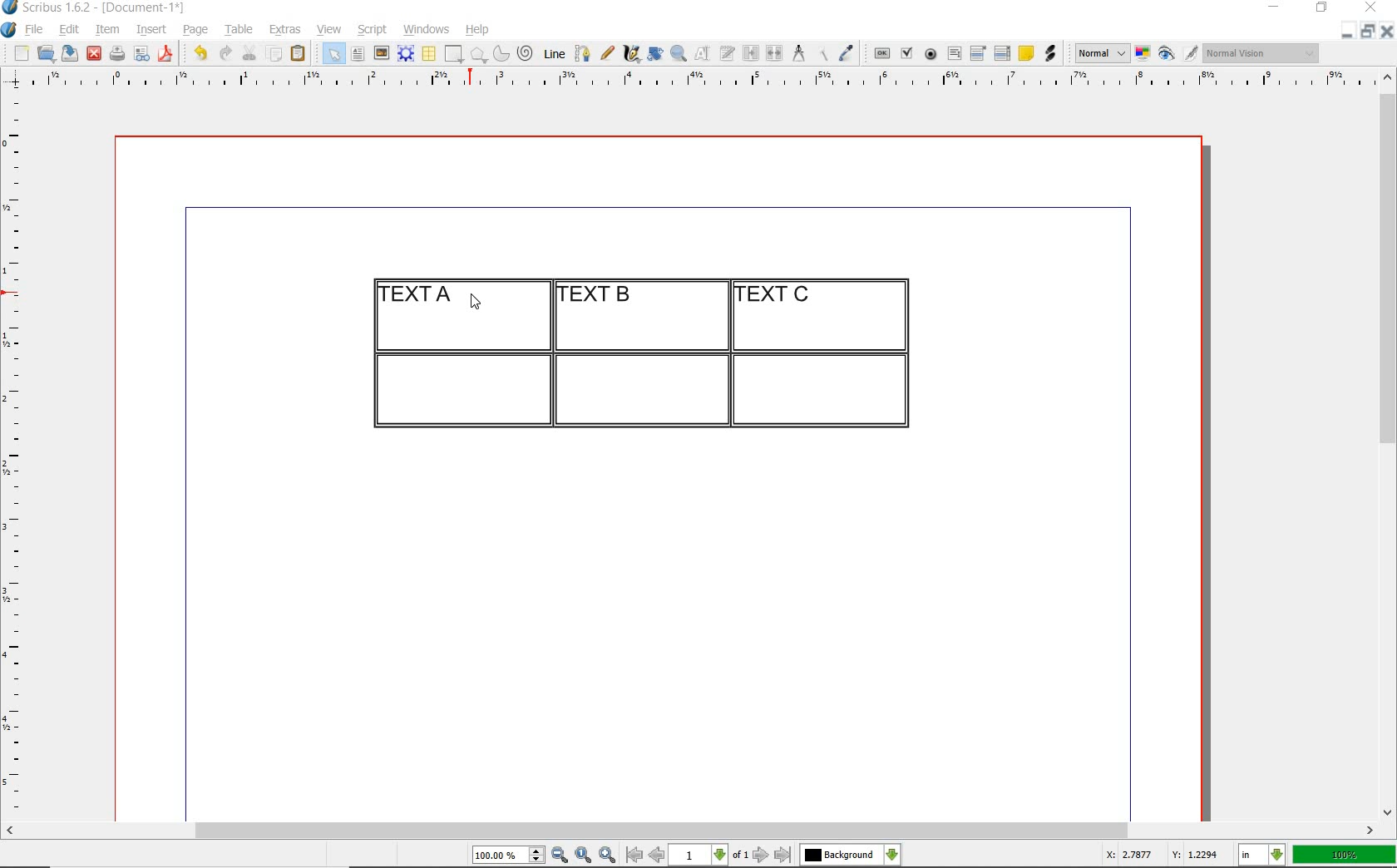 The image size is (1397, 868). I want to click on insert, so click(151, 30).